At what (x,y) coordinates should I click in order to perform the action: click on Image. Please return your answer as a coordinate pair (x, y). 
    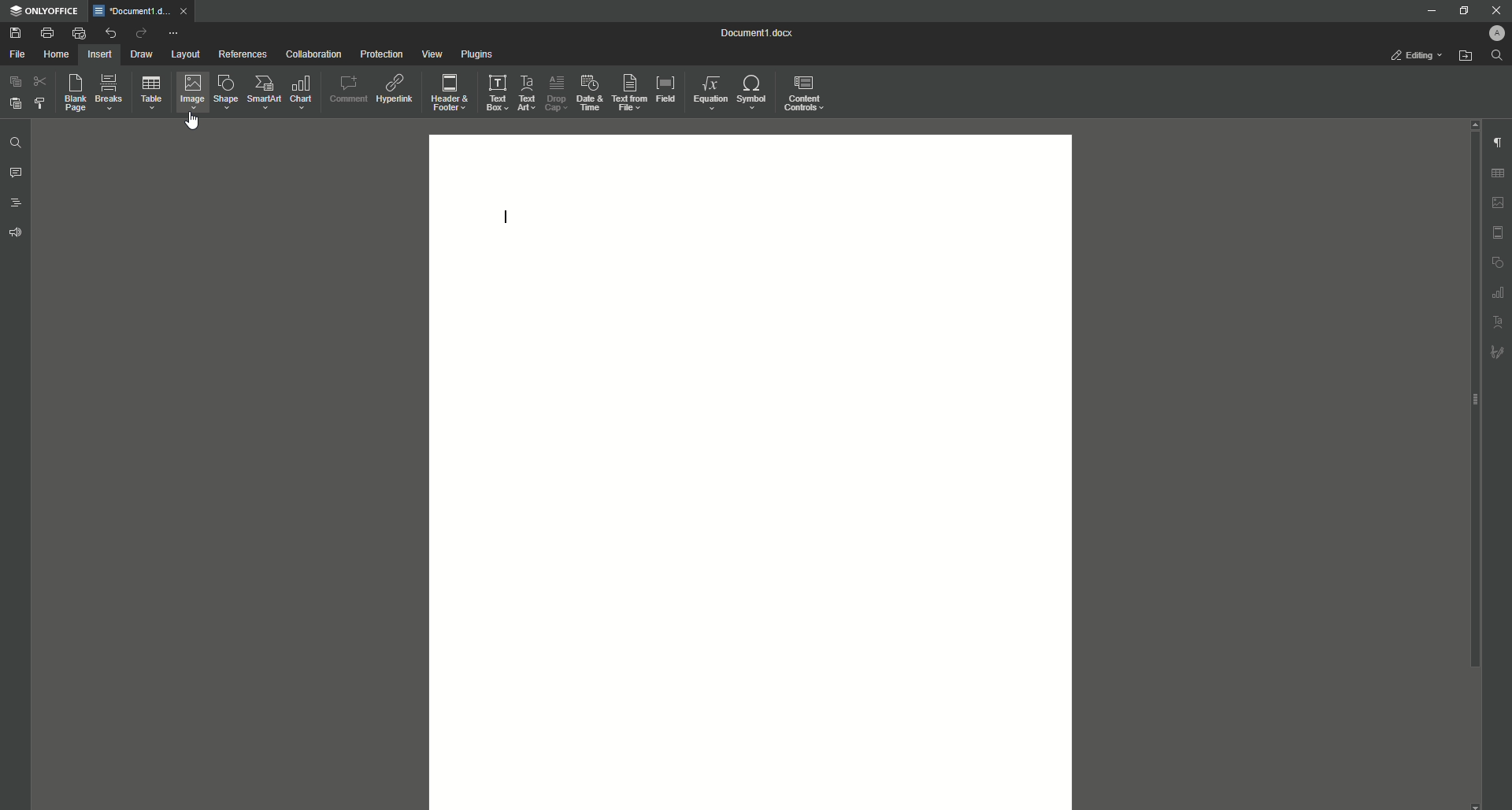
    Looking at the image, I should click on (193, 94).